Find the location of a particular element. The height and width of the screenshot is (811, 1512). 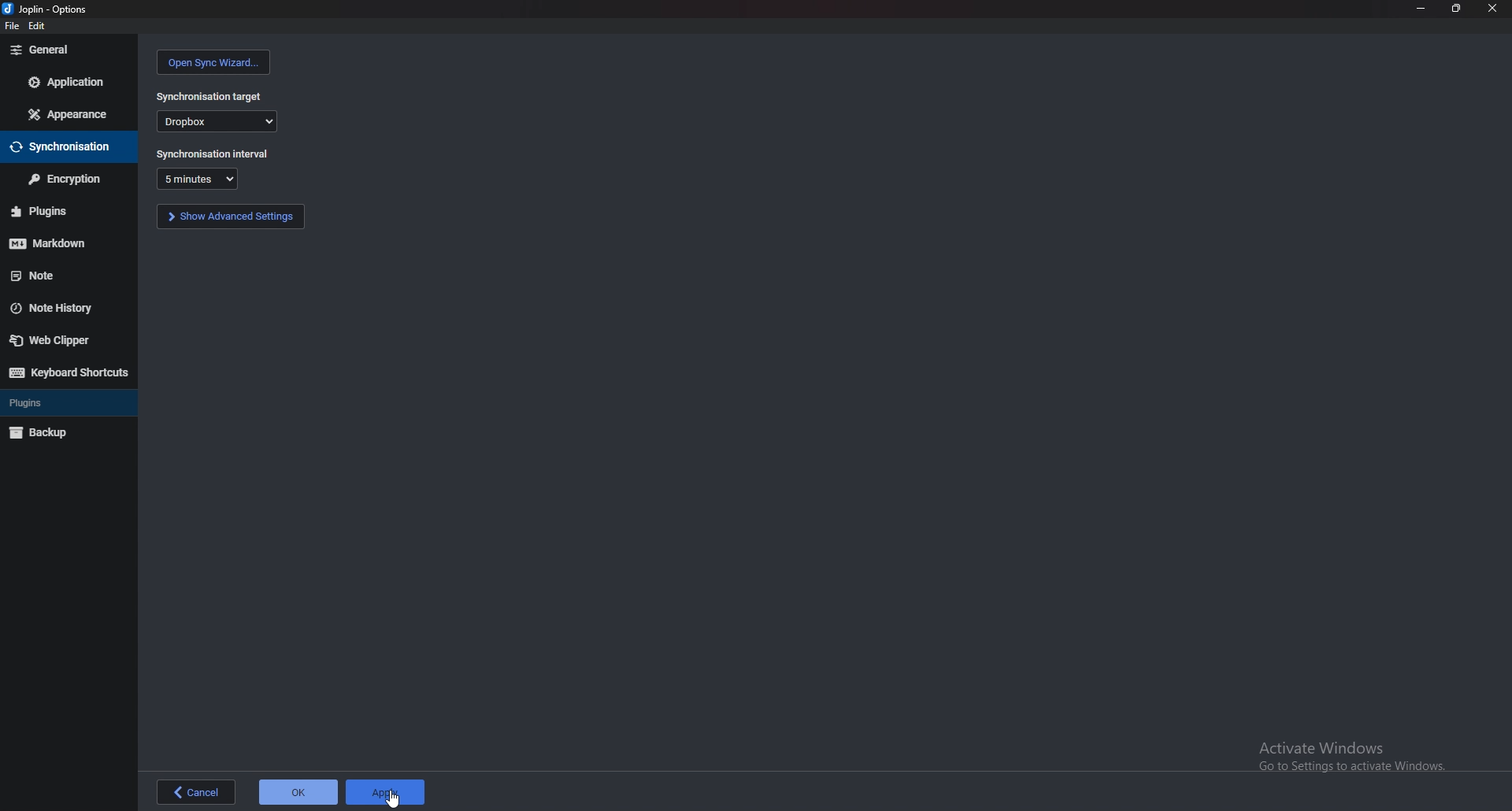

application is located at coordinates (69, 80).